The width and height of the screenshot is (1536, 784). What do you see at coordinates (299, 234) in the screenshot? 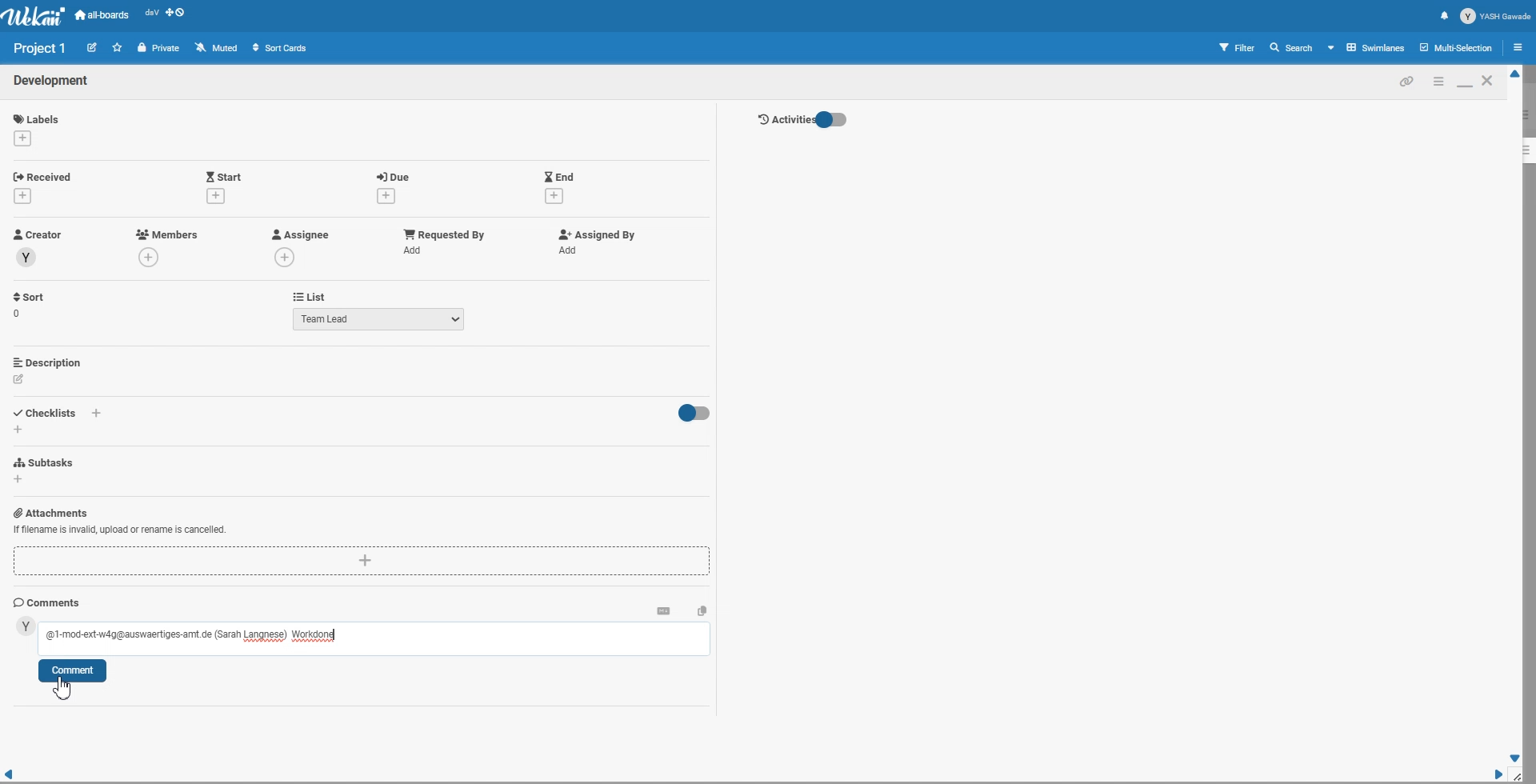
I see `Add Assignee` at bounding box center [299, 234].